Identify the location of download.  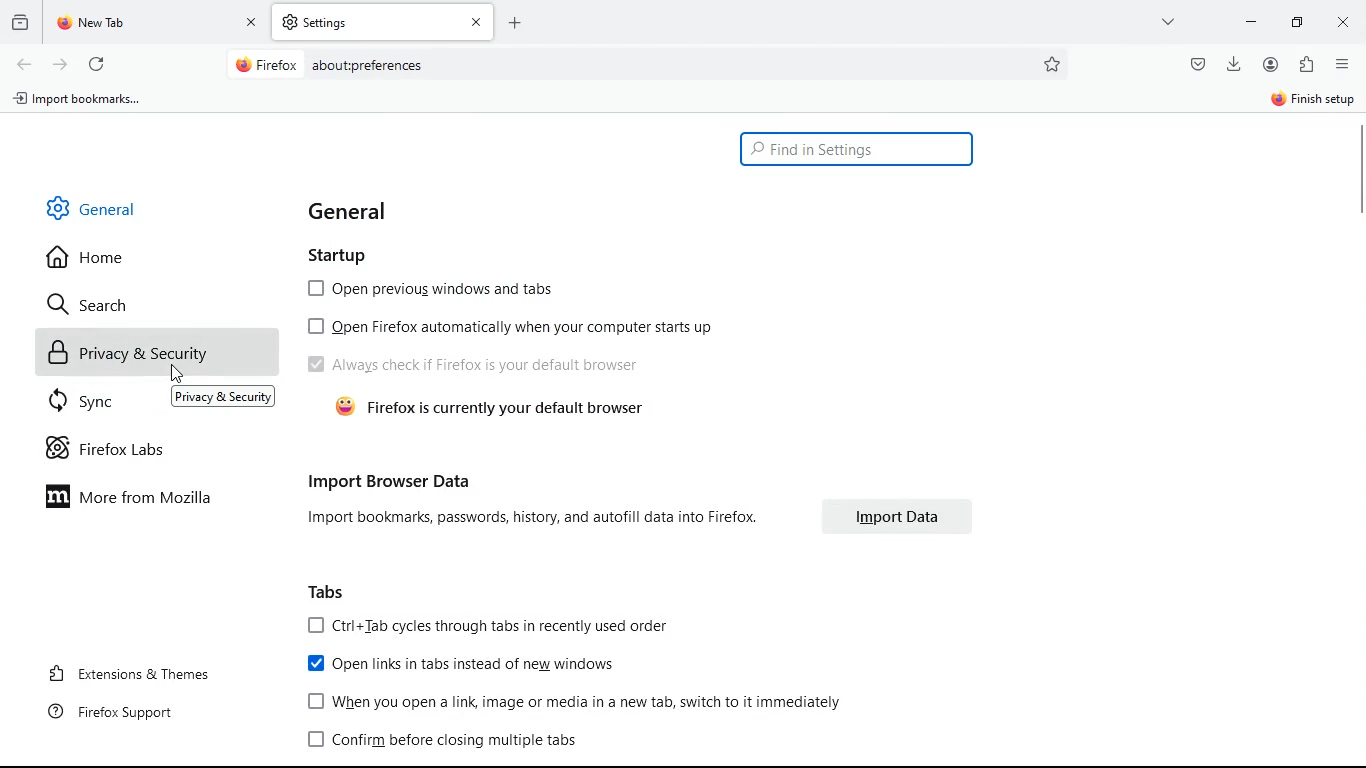
(1234, 62).